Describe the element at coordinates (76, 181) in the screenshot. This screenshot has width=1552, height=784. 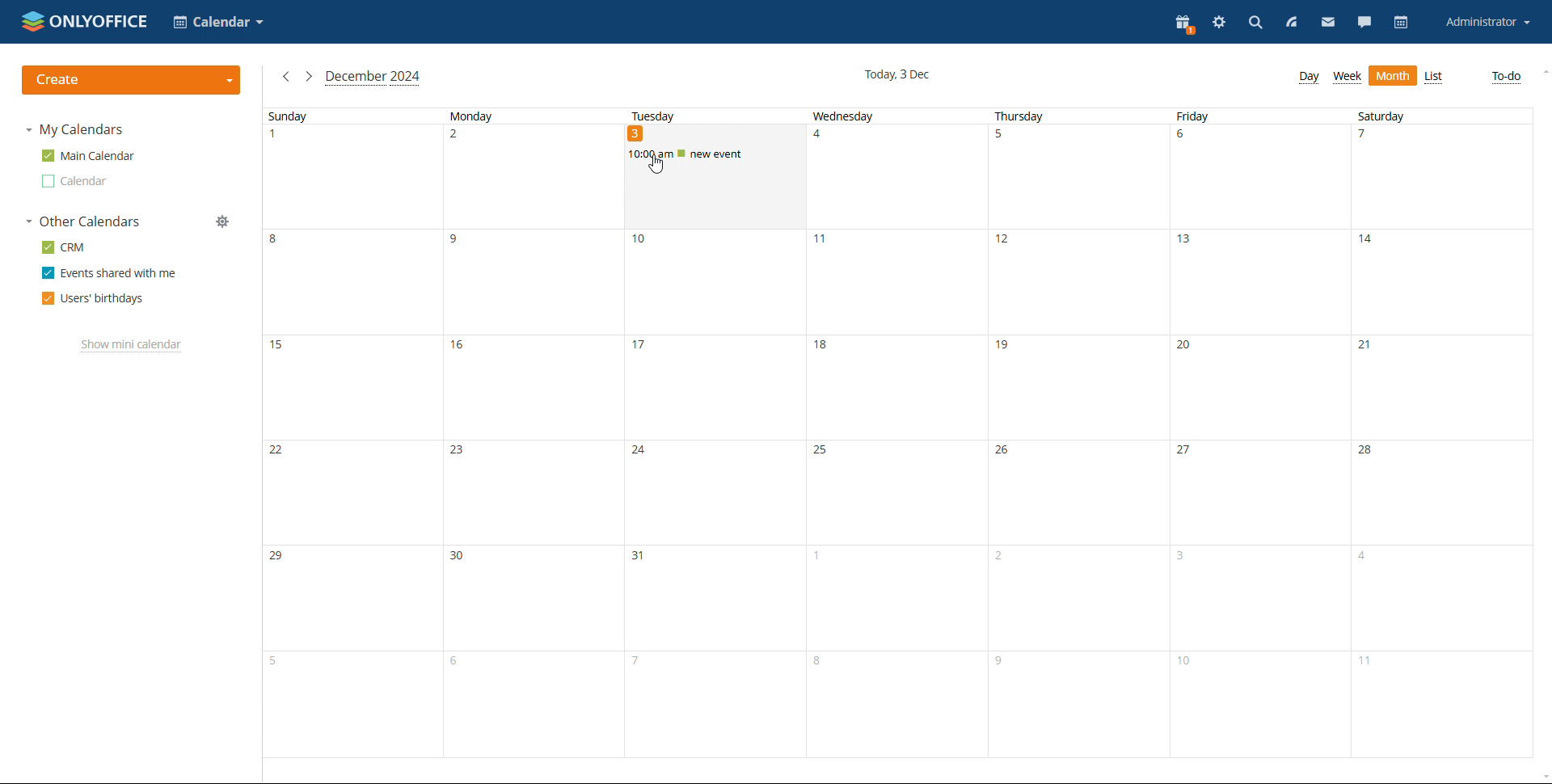
I see `other calendar` at that location.